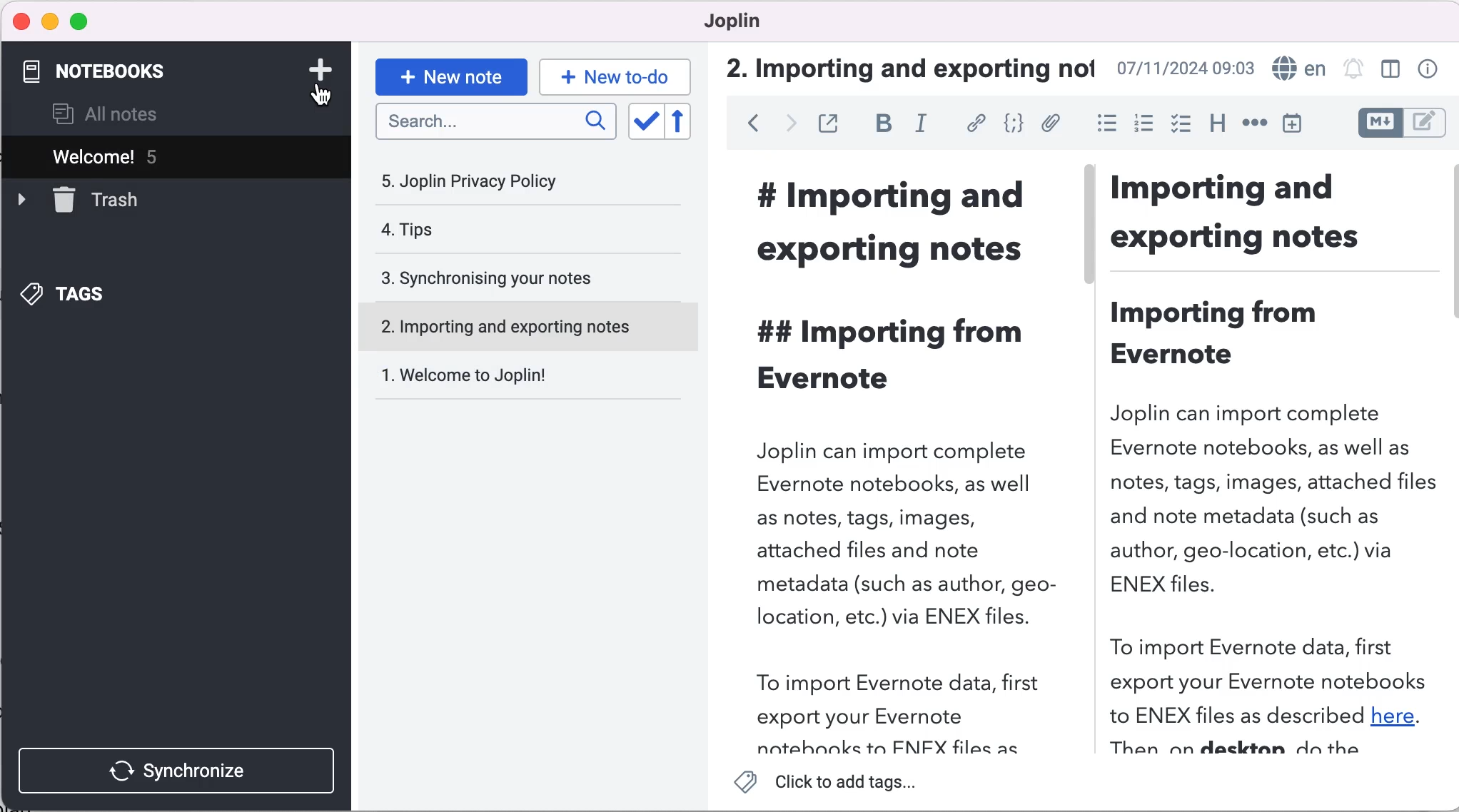 This screenshot has height=812, width=1459. Describe the element at coordinates (319, 68) in the screenshot. I see `add note` at that location.